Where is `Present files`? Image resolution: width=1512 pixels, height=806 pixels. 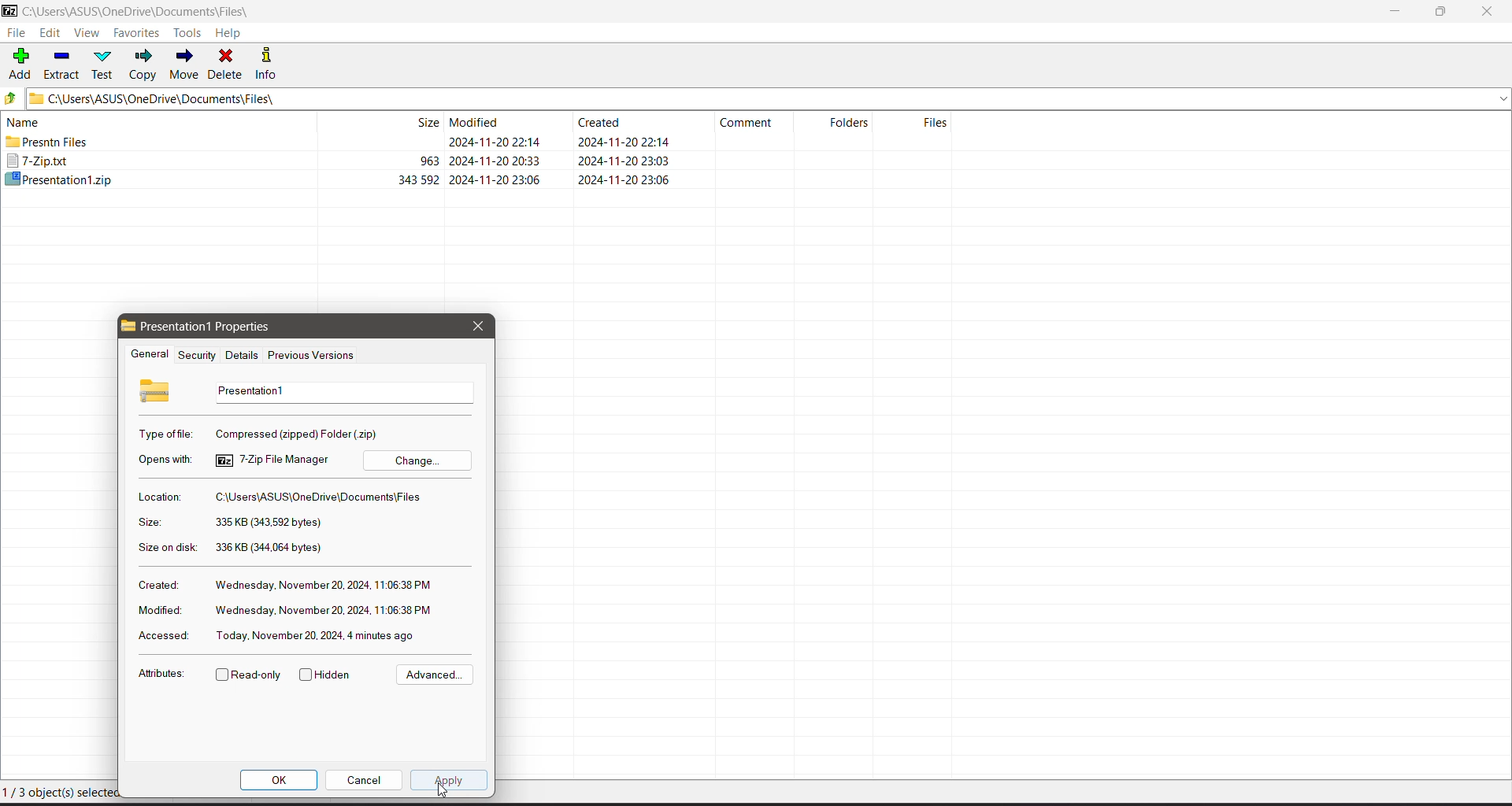 Present files is located at coordinates (343, 143).